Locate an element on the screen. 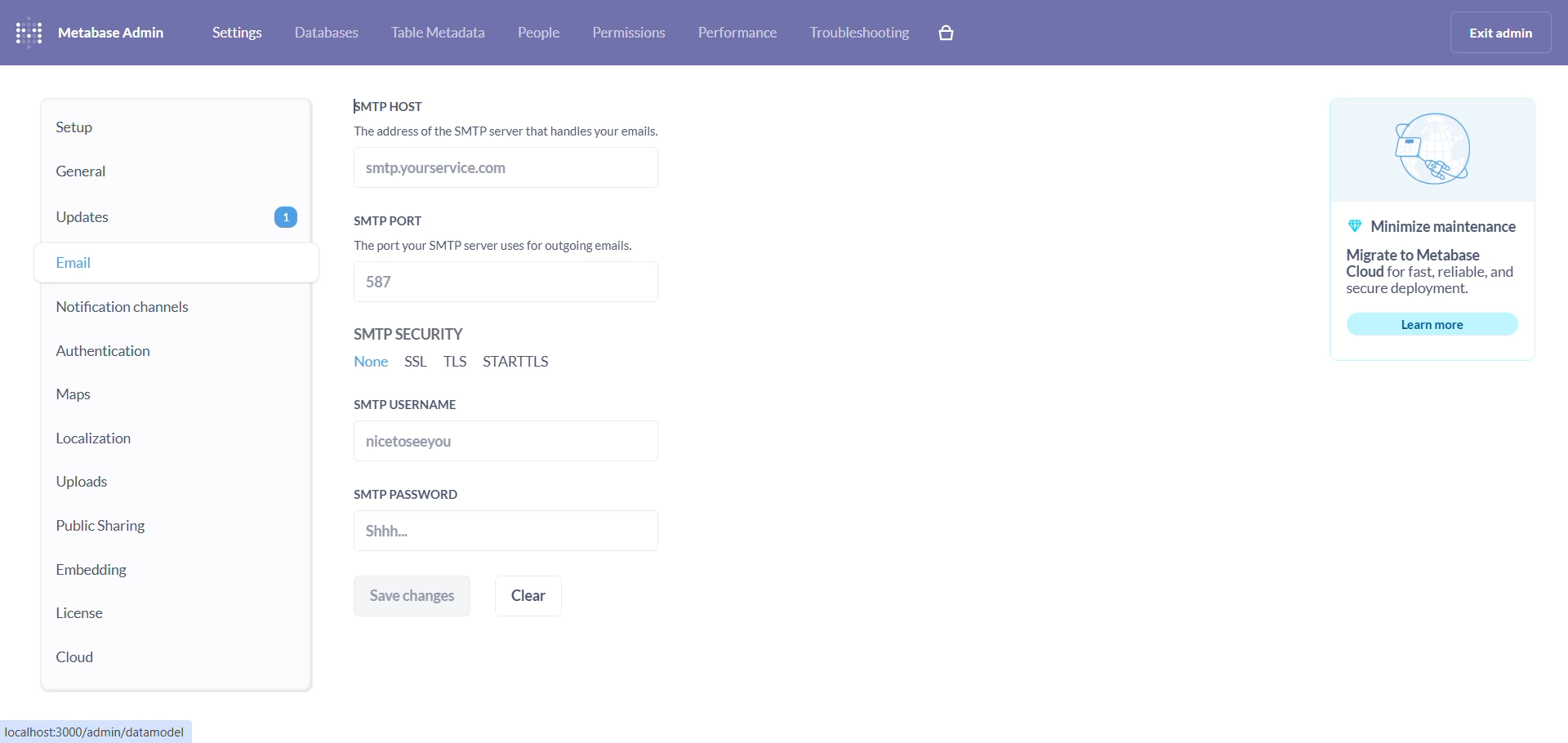  table metadata is located at coordinates (443, 32).